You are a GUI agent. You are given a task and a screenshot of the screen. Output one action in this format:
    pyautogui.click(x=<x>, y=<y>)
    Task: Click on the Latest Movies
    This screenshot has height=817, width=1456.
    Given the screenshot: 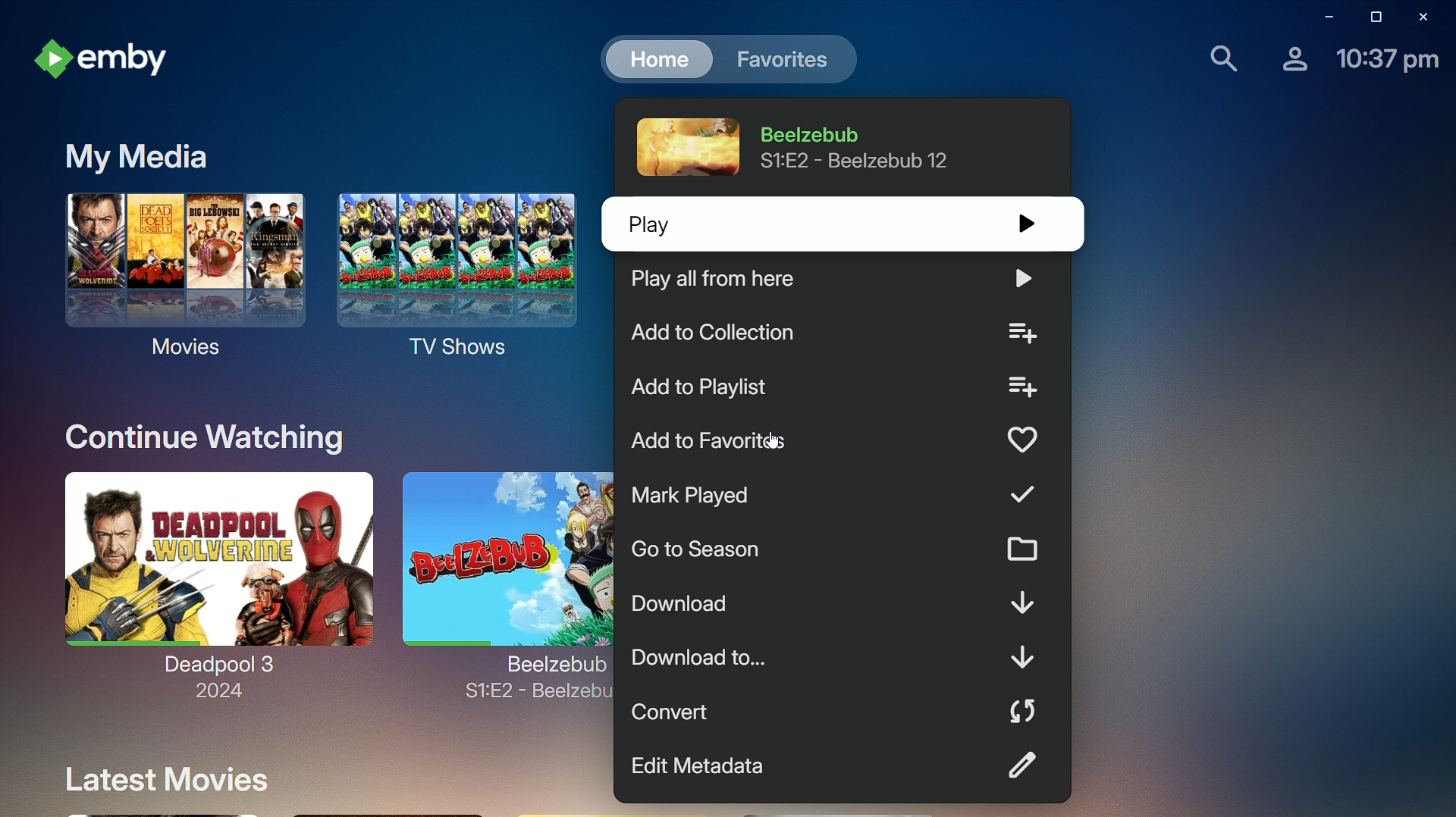 What is the action you would take?
    pyautogui.click(x=167, y=778)
    